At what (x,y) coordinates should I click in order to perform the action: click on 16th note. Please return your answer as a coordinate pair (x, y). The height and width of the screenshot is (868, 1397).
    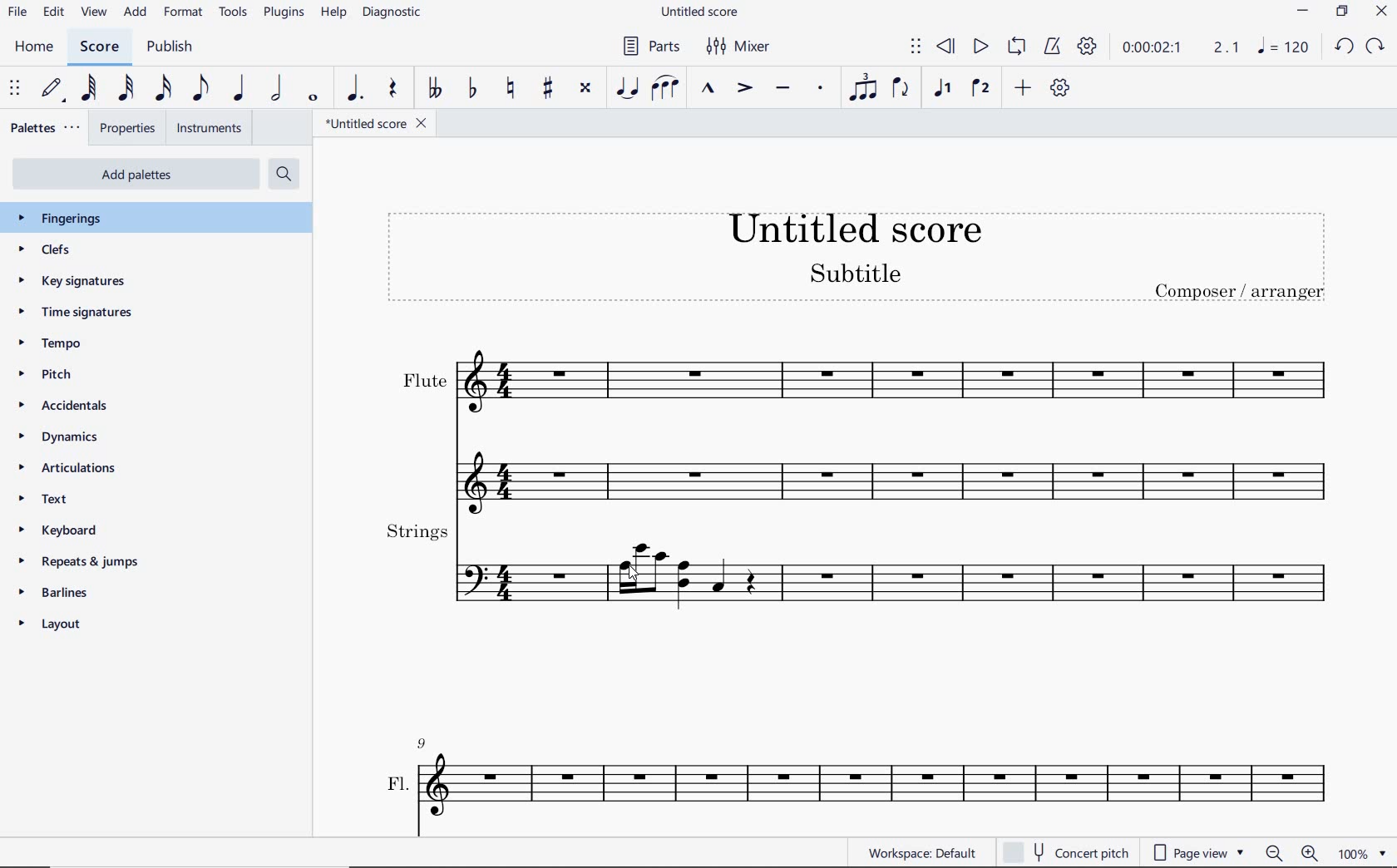
    Looking at the image, I should click on (161, 86).